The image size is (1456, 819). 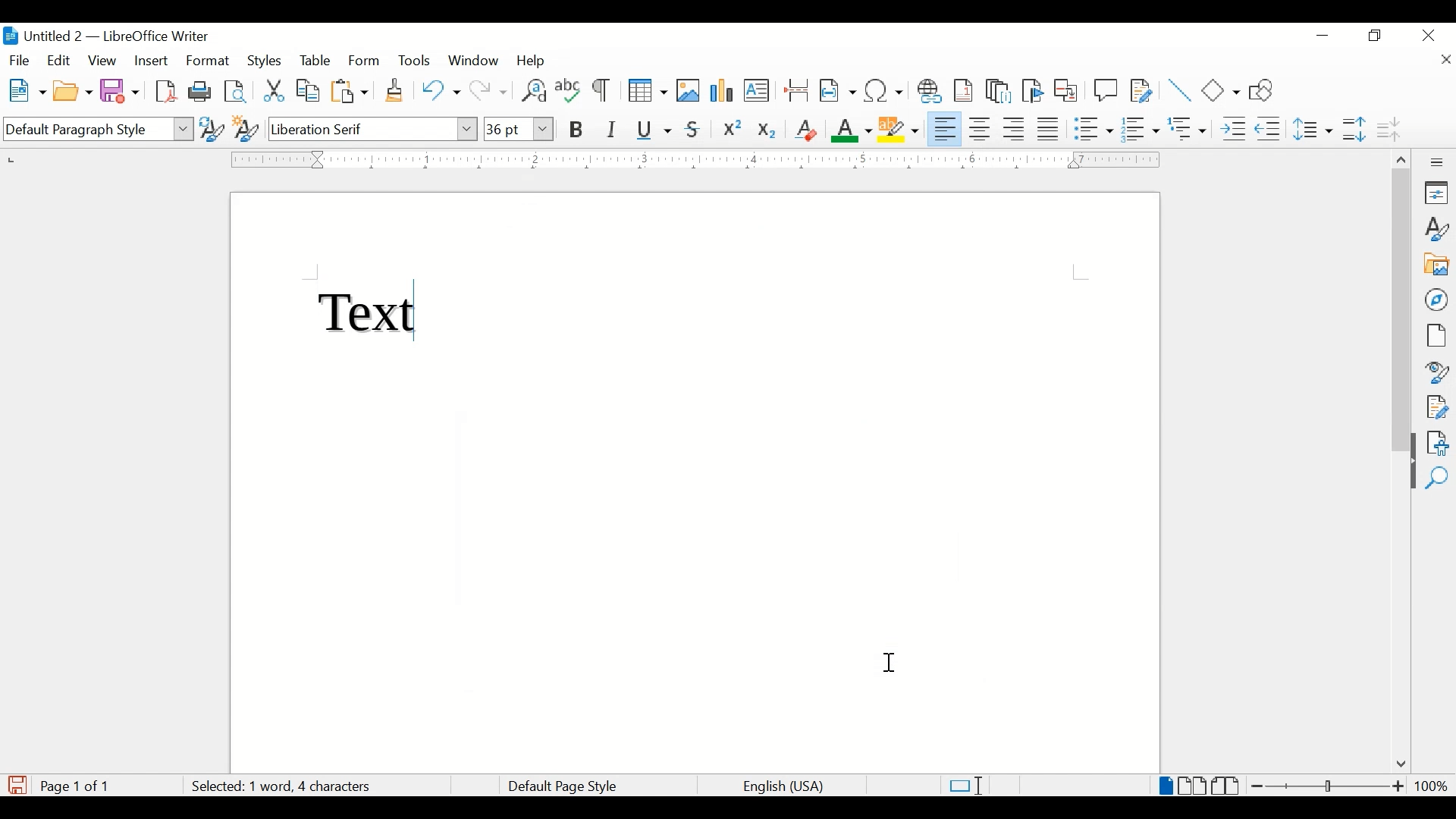 I want to click on scroll down arrow, so click(x=1398, y=765).